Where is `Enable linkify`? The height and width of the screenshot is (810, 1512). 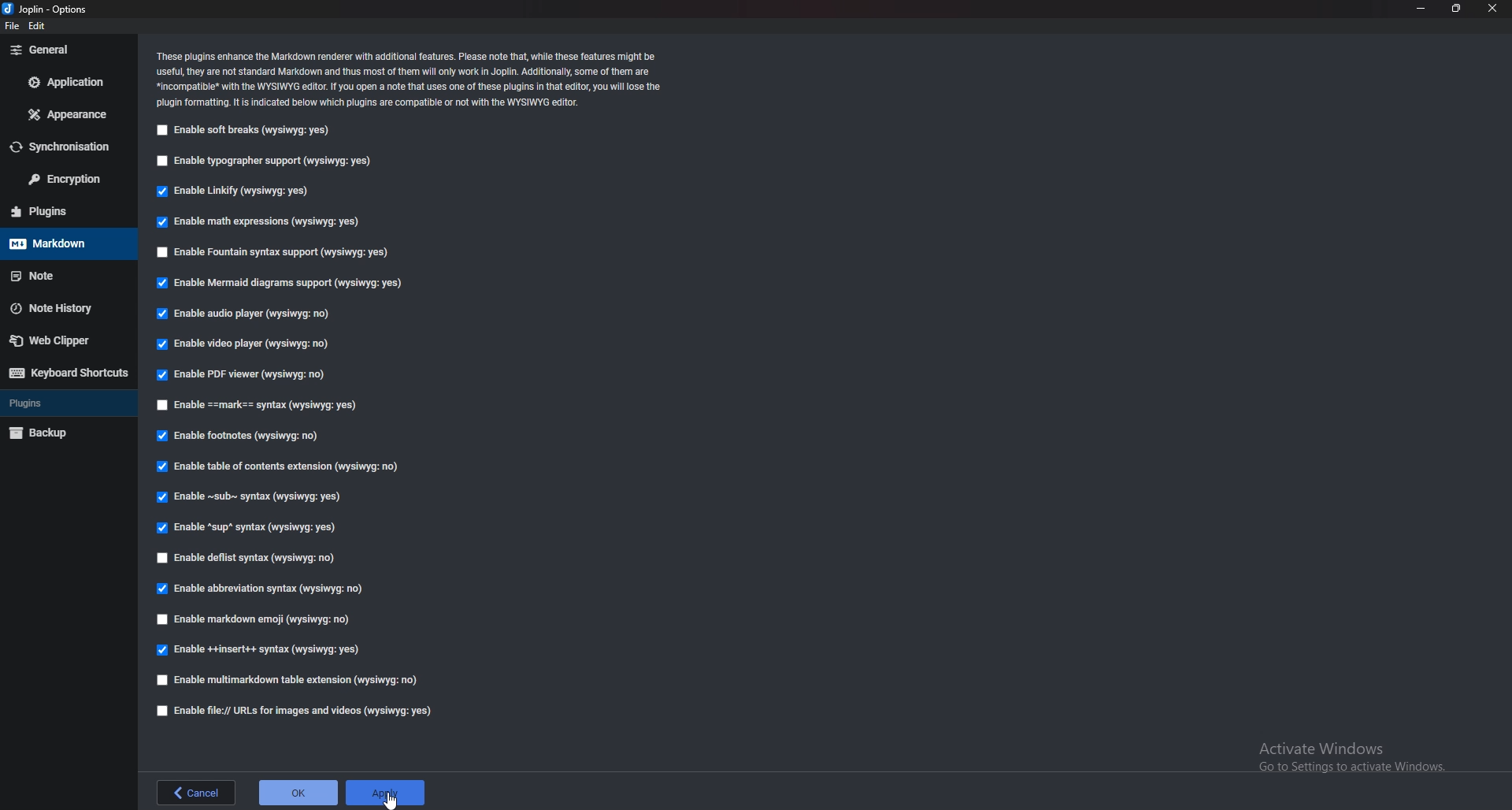 Enable linkify is located at coordinates (239, 191).